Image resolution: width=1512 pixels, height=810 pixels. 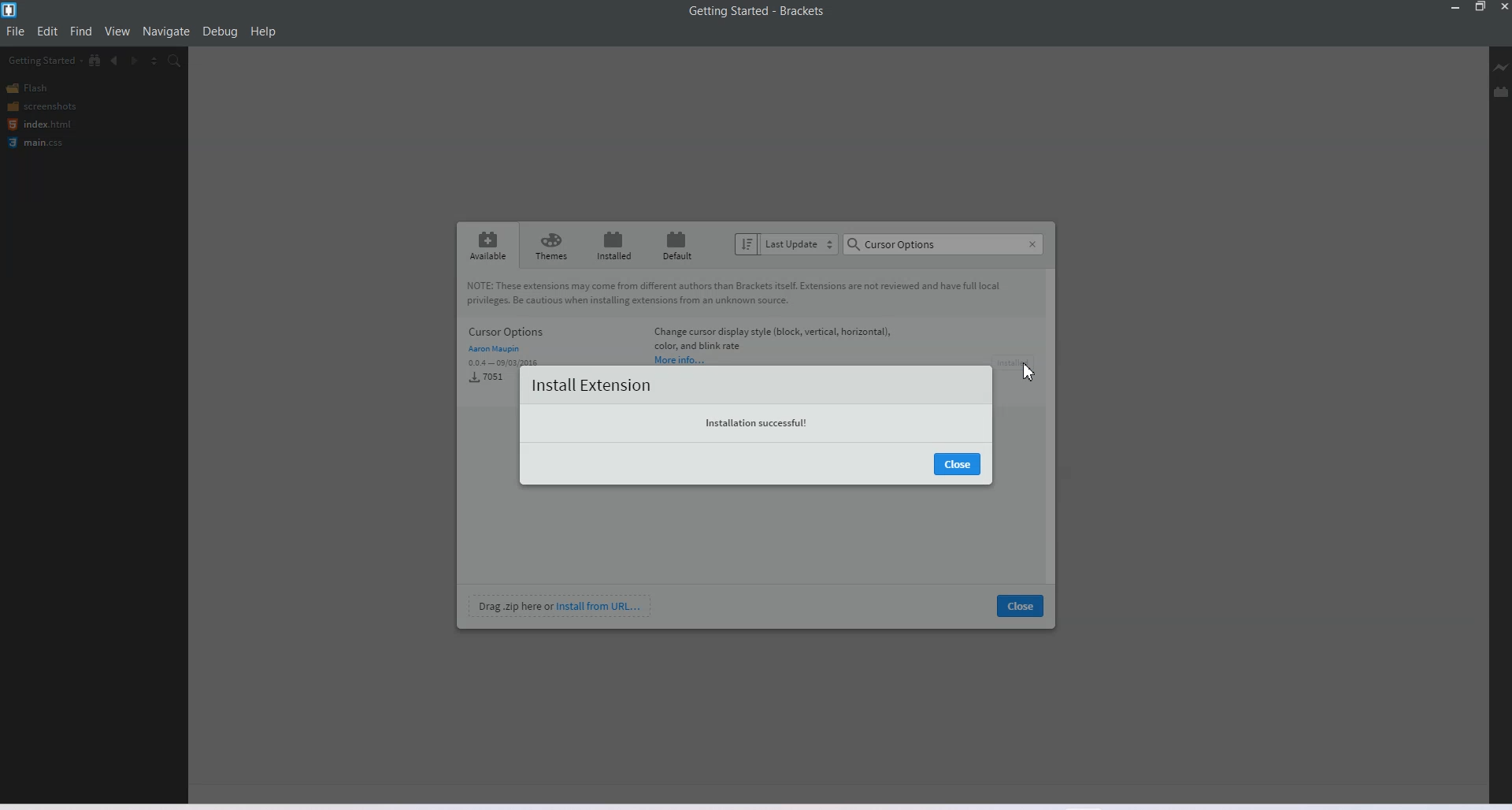 I want to click on Help, so click(x=263, y=32).